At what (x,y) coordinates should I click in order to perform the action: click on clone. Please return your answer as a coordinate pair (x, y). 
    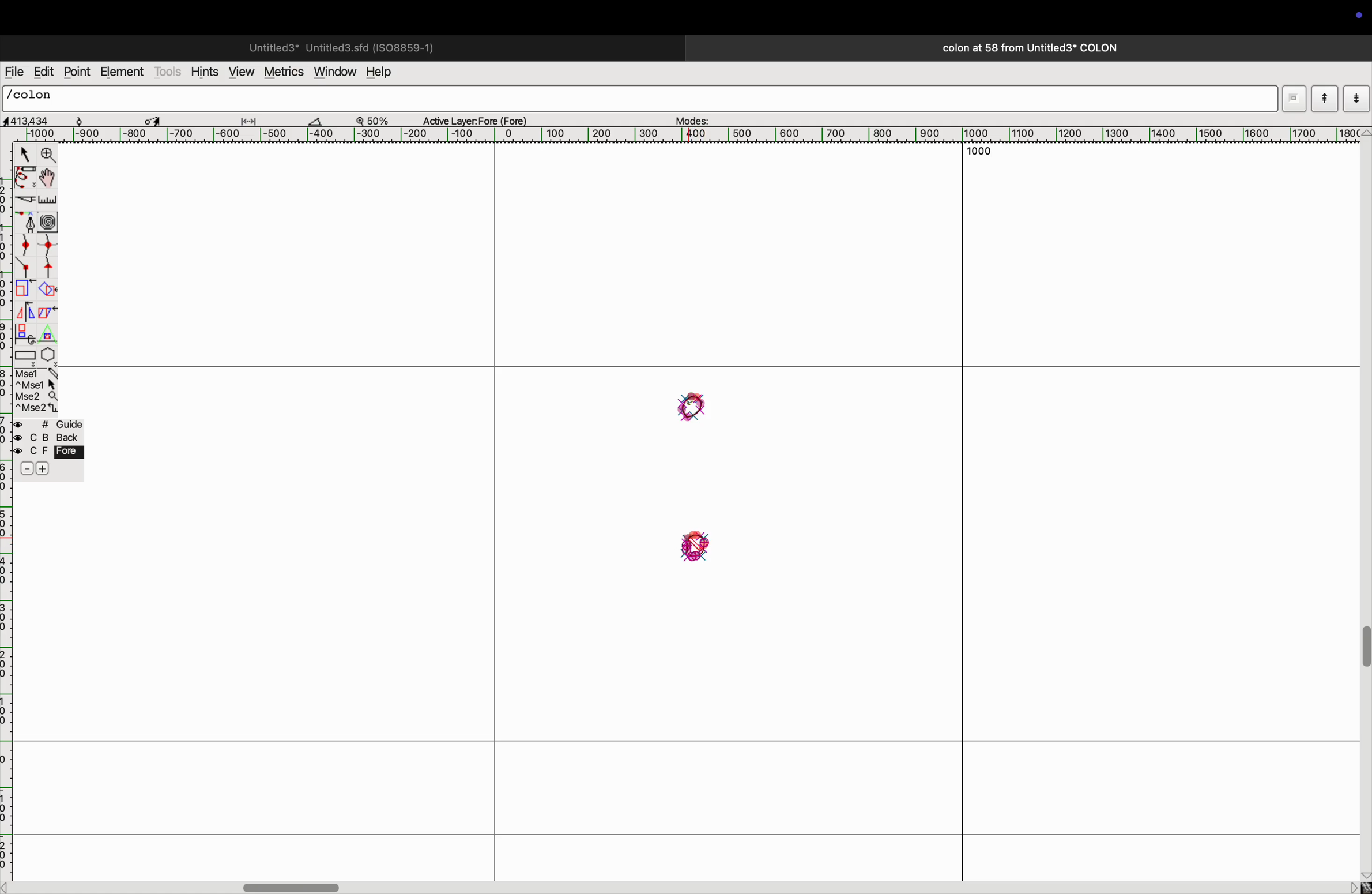
    Looking at the image, I should click on (26, 333).